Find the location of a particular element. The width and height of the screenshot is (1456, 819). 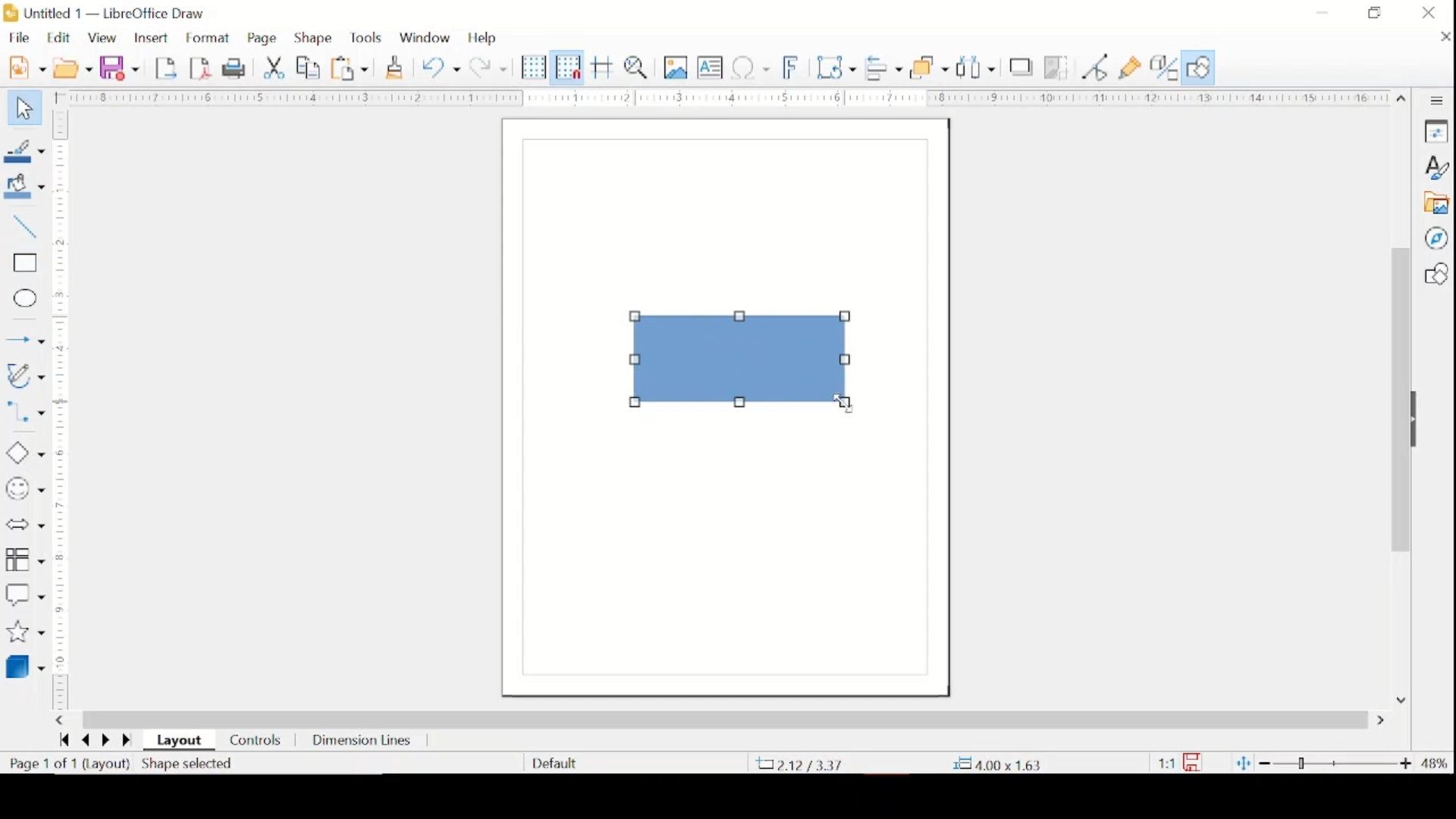

select at least three objects to distribute is located at coordinates (977, 67).